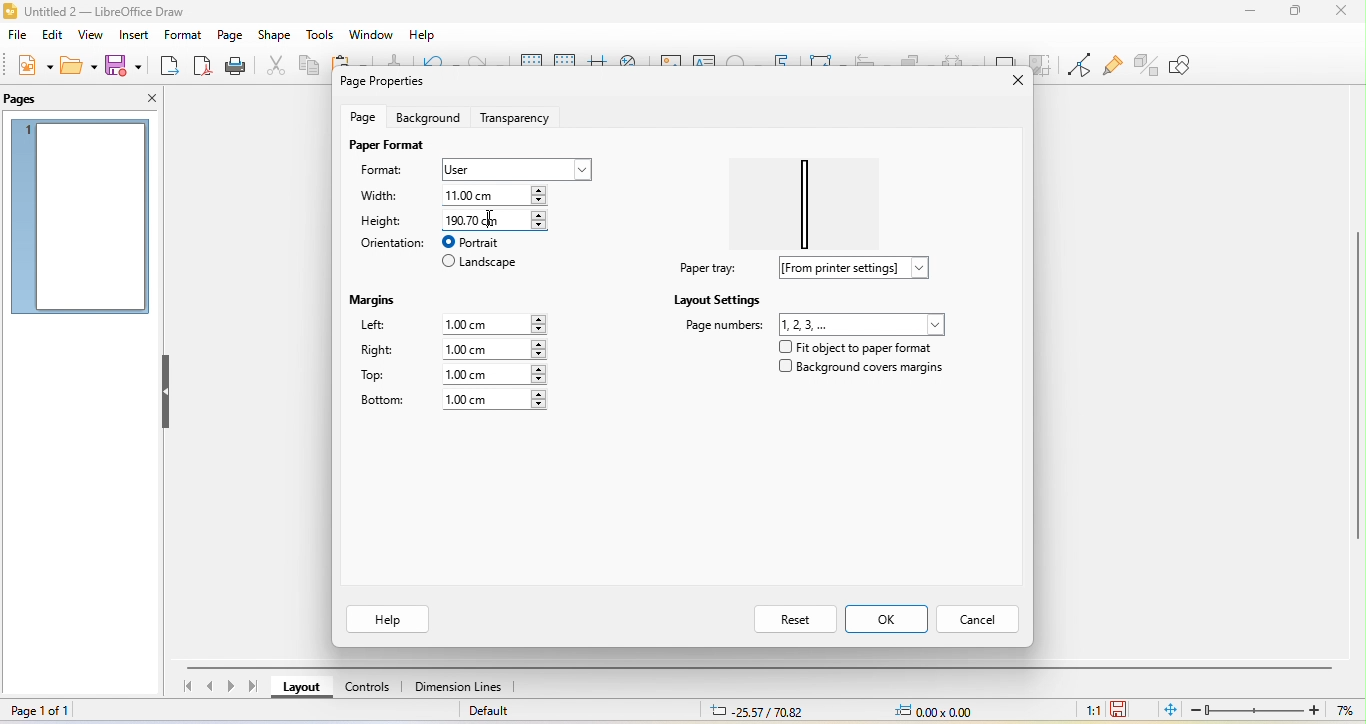 The height and width of the screenshot is (724, 1366). I want to click on close, so click(1340, 11).